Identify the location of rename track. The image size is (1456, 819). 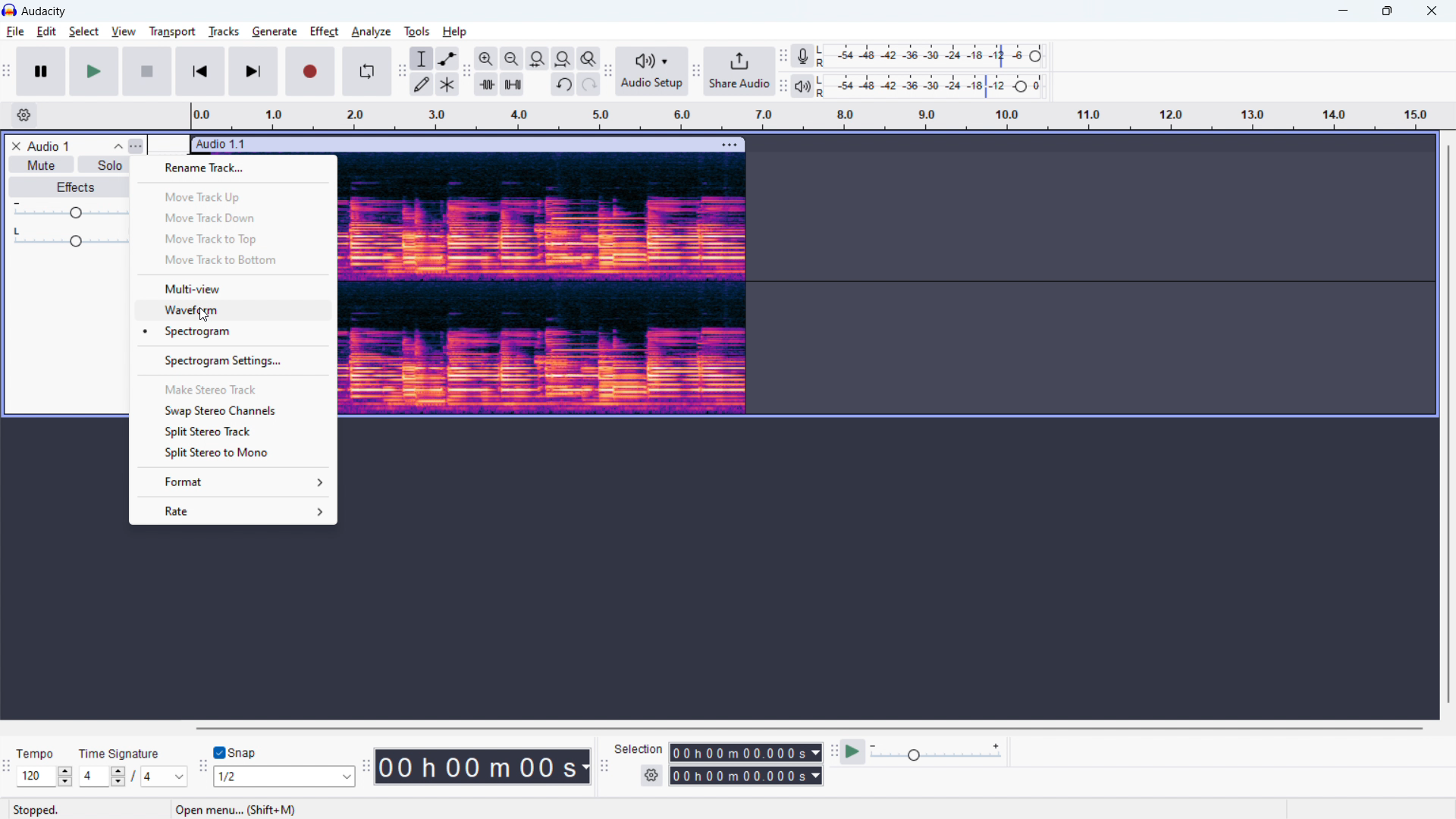
(241, 168).